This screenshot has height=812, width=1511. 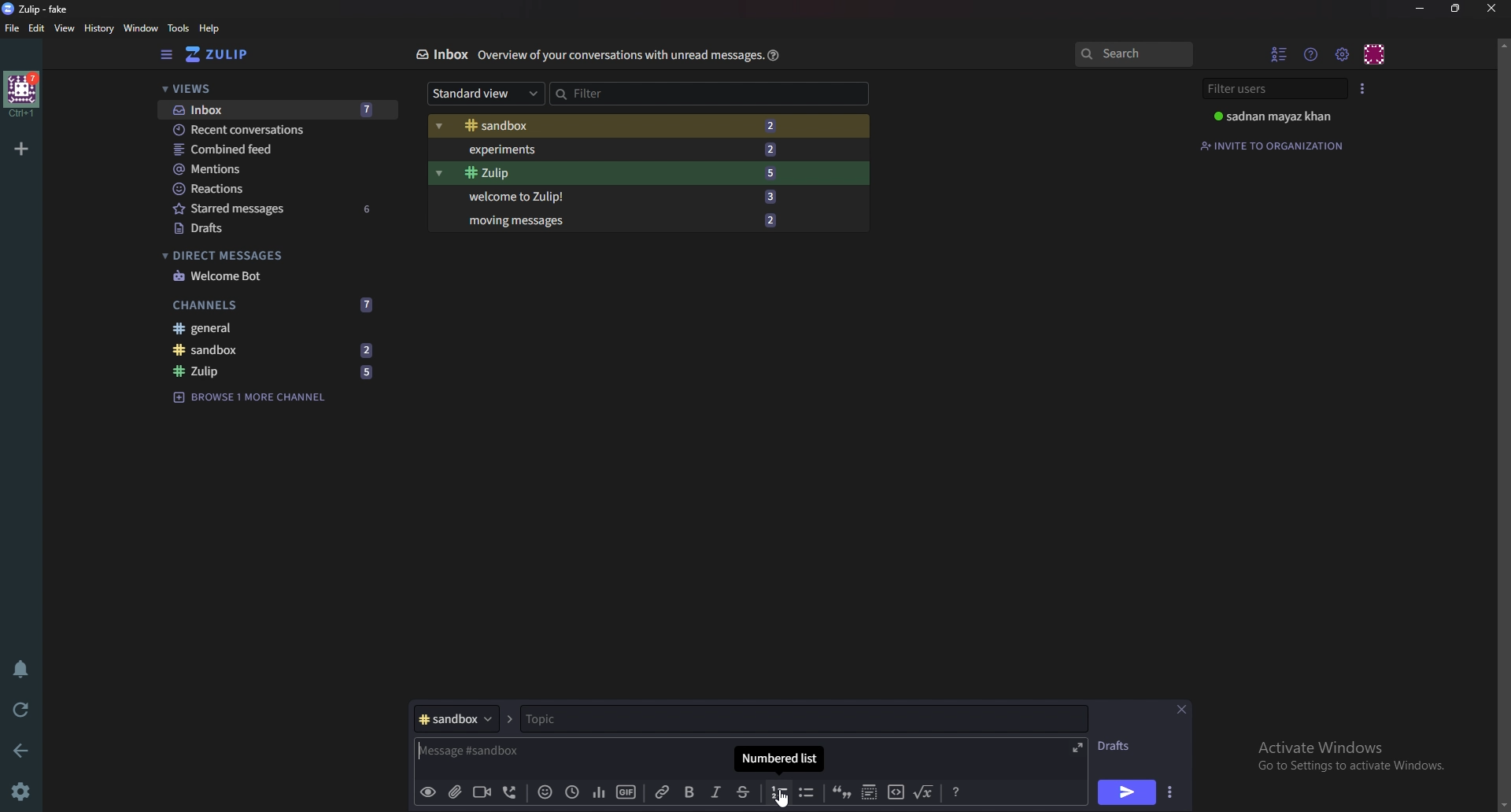 I want to click on Tool tip, so click(x=781, y=760).